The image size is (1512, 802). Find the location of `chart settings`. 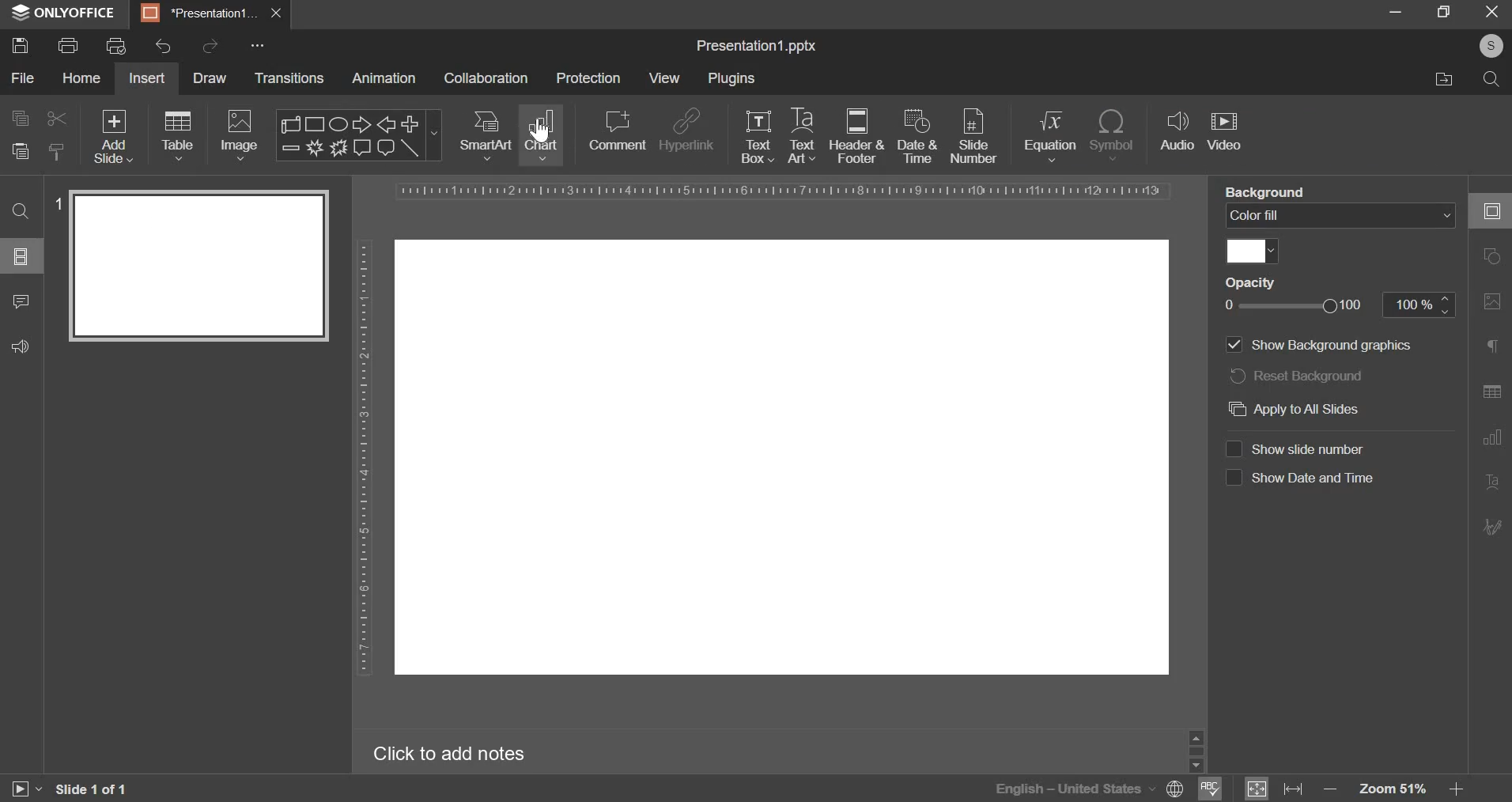

chart settings is located at coordinates (1491, 442).